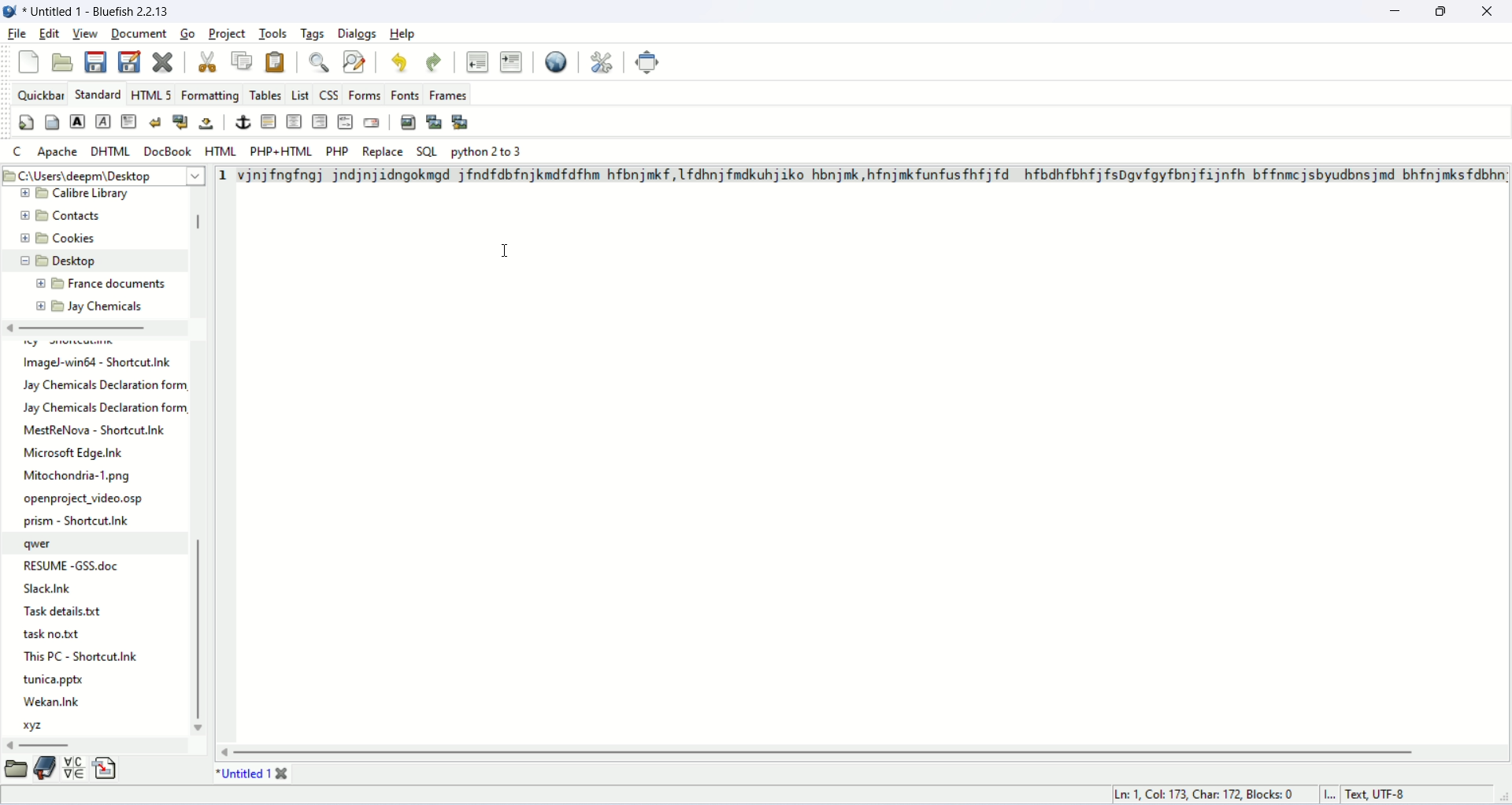 The image size is (1512, 805). Describe the element at coordinates (460, 122) in the screenshot. I see `multi-thumbnail` at that location.